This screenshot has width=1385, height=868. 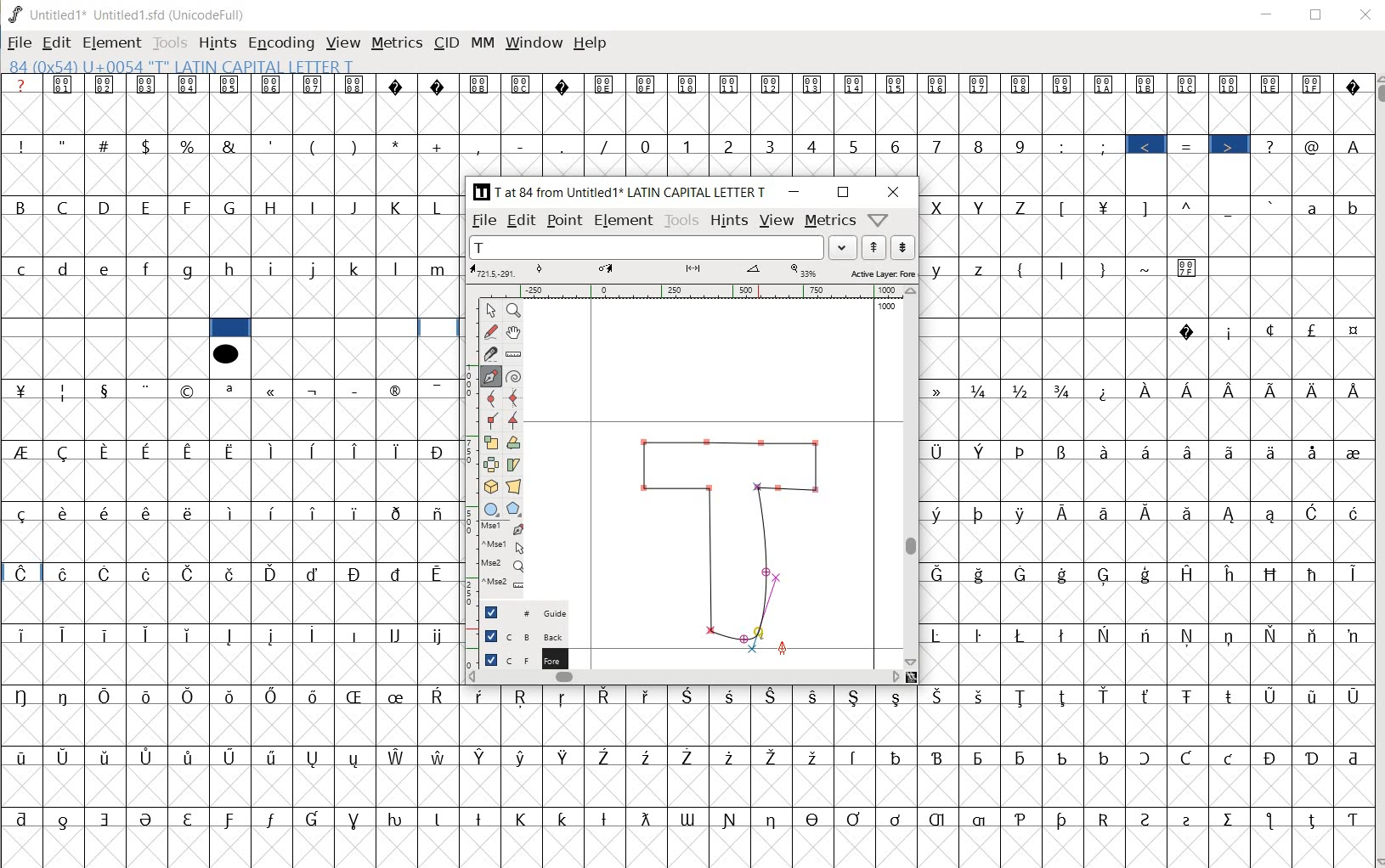 What do you see at coordinates (981, 817) in the screenshot?
I see `` at bounding box center [981, 817].